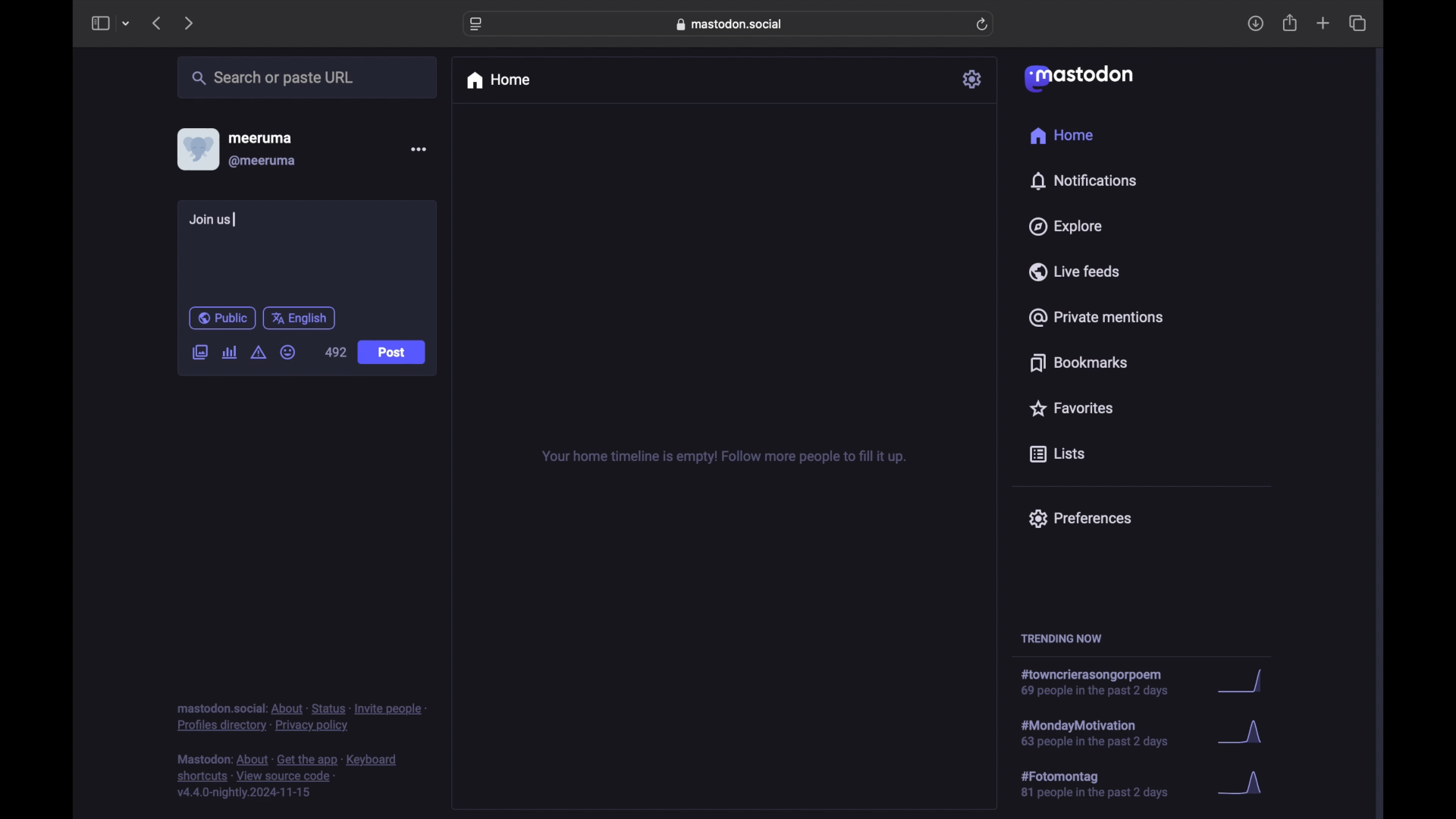 The width and height of the screenshot is (1456, 819). Describe the element at coordinates (1077, 77) in the screenshot. I see `mastodon` at that location.